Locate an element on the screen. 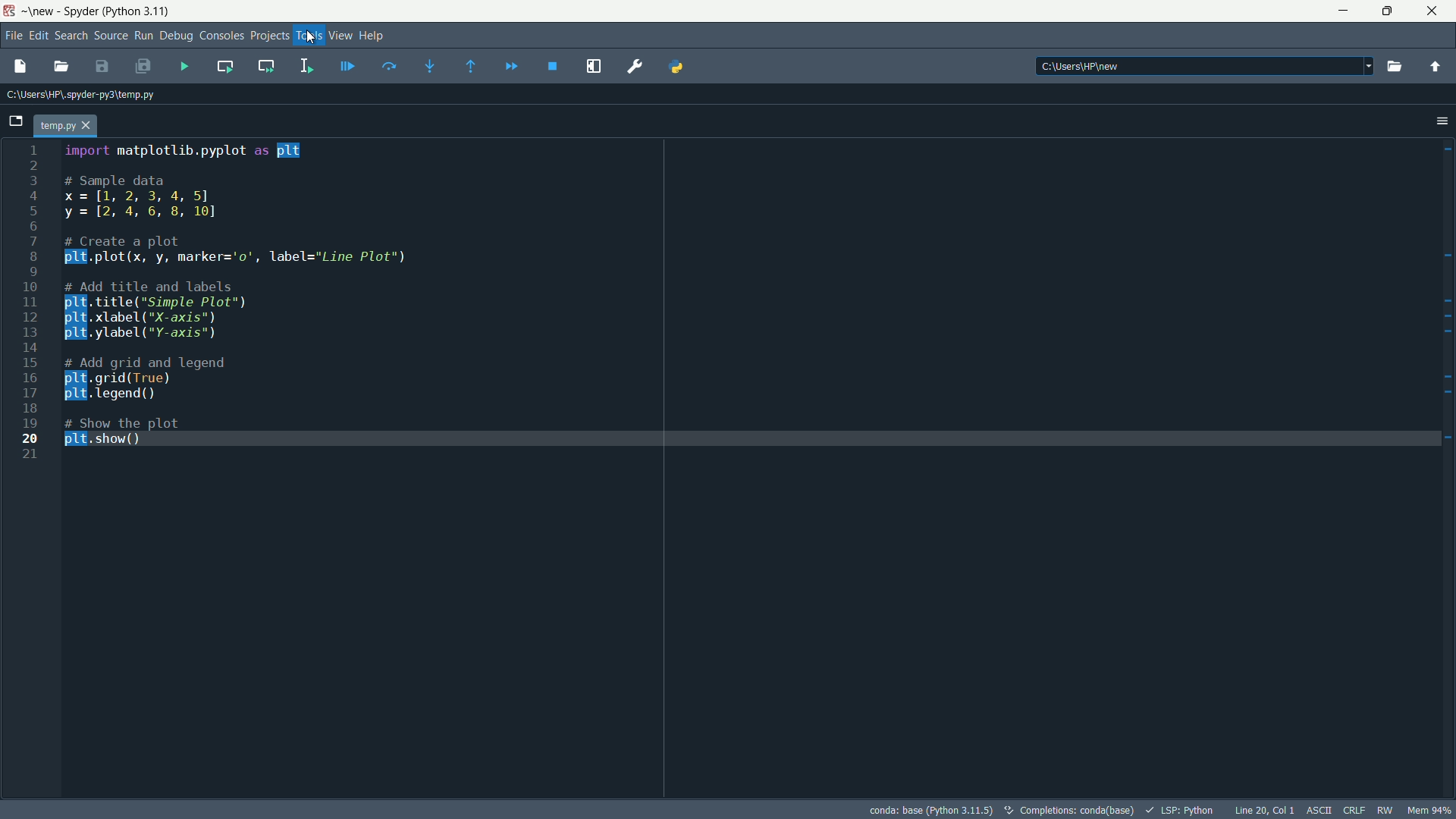  new file is located at coordinates (17, 67).